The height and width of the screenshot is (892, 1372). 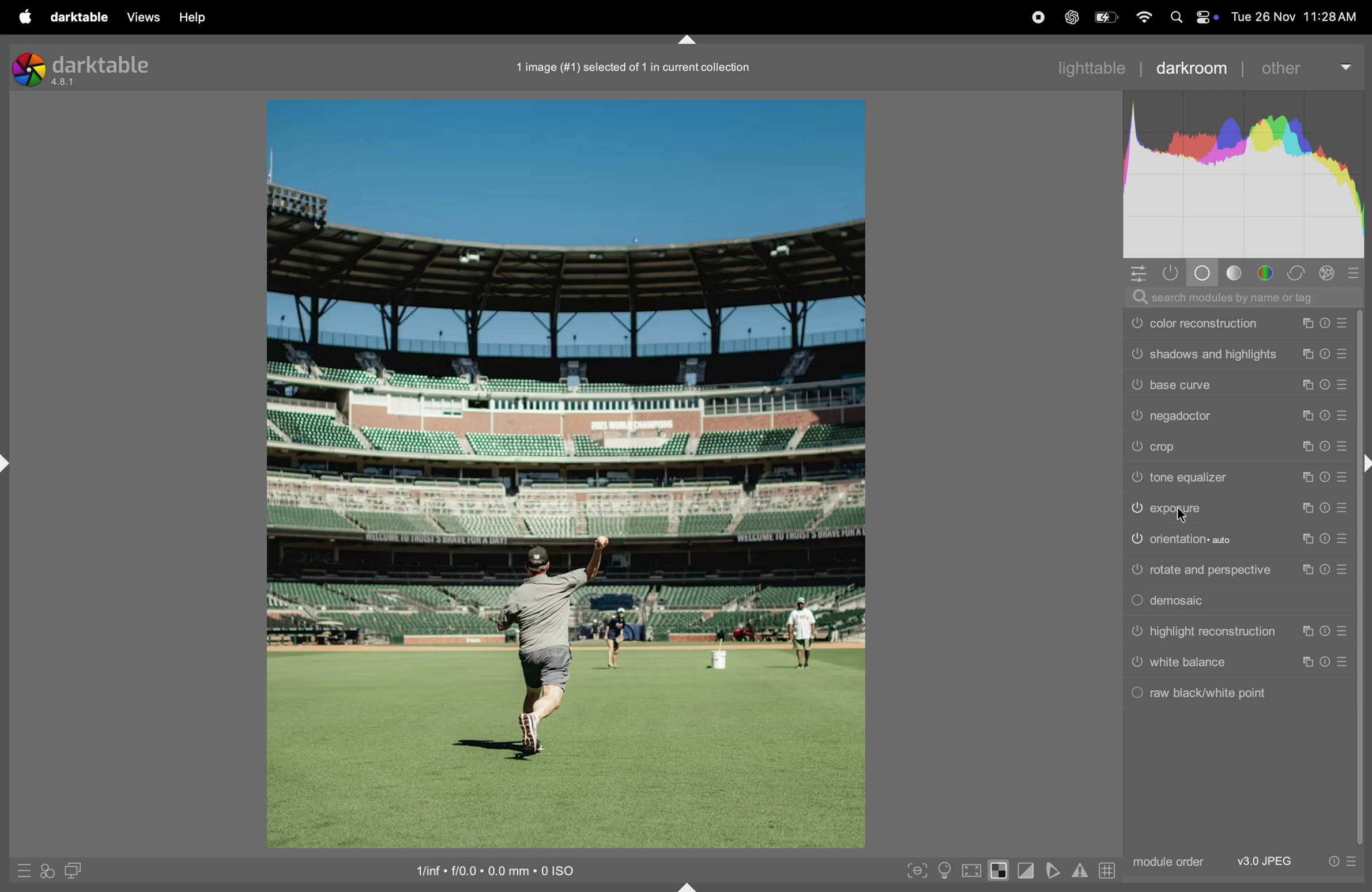 What do you see at coordinates (1324, 569) in the screenshot?
I see `reset presets` at bounding box center [1324, 569].